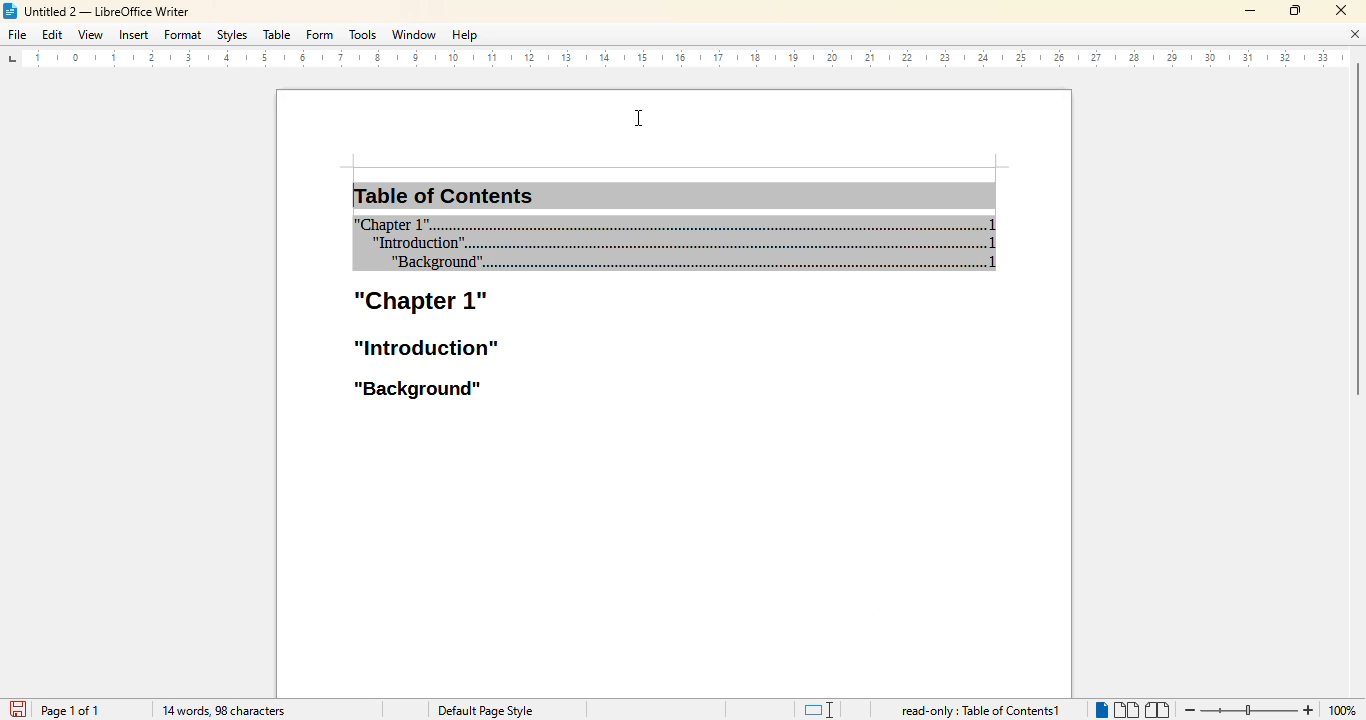 The width and height of the screenshot is (1366, 720). I want to click on minimize, so click(1251, 11).